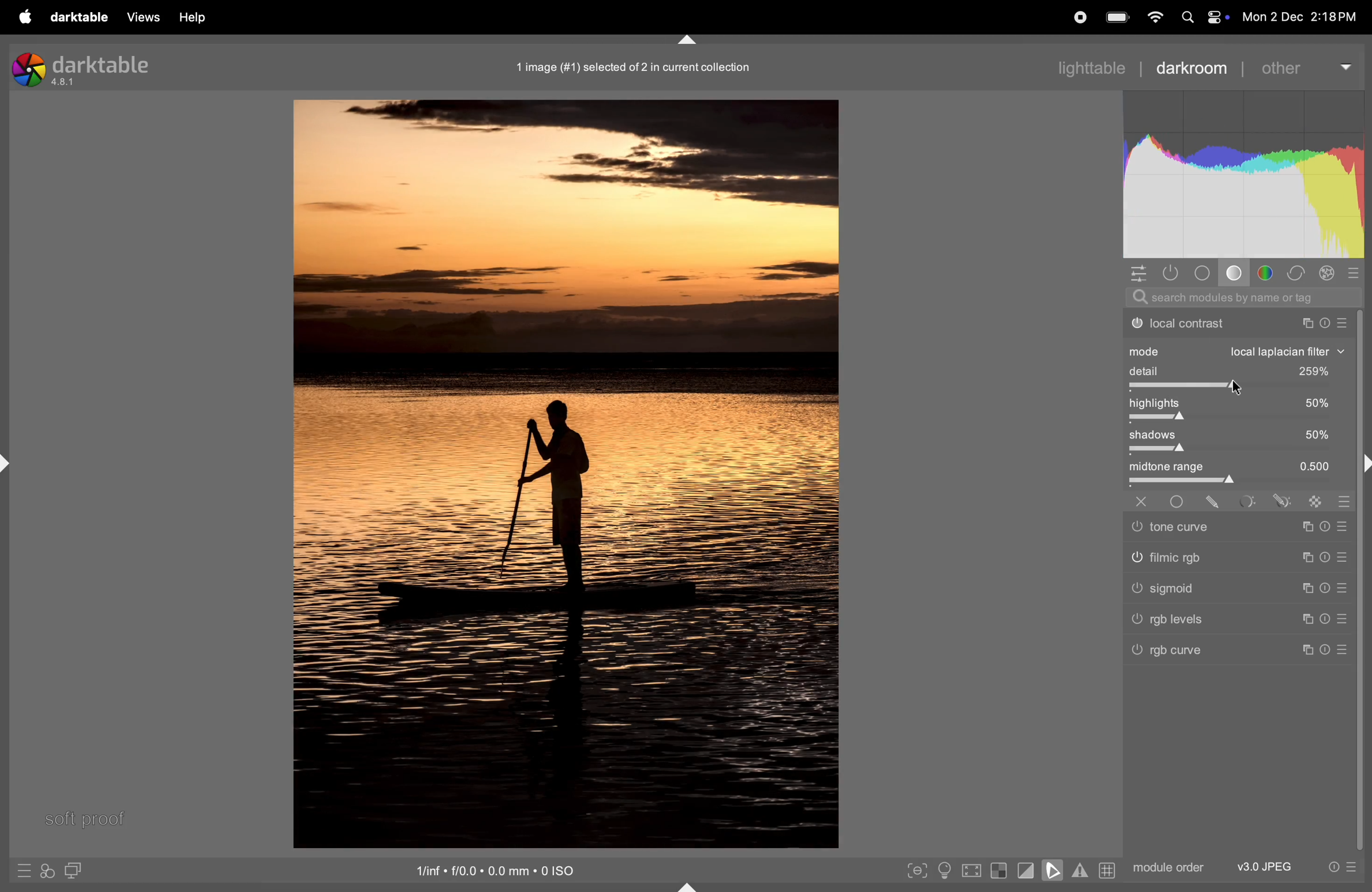 This screenshot has width=1372, height=892. I want to click on v3 jpeg, so click(1262, 867).